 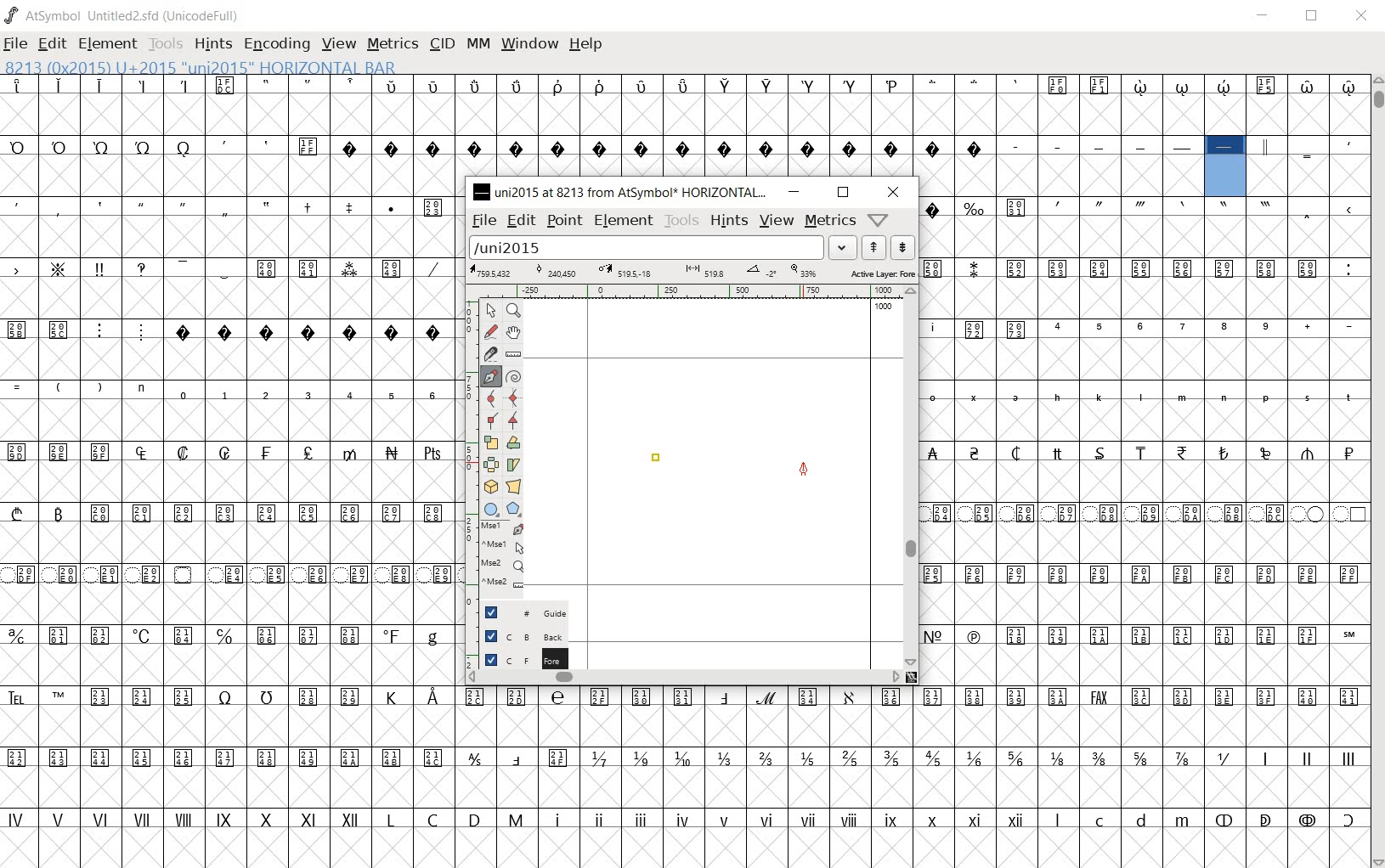 What do you see at coordinates (488, 375) in the screenshot?
I see `add a point, then drag out its control points` at bounding box center [488, 375].